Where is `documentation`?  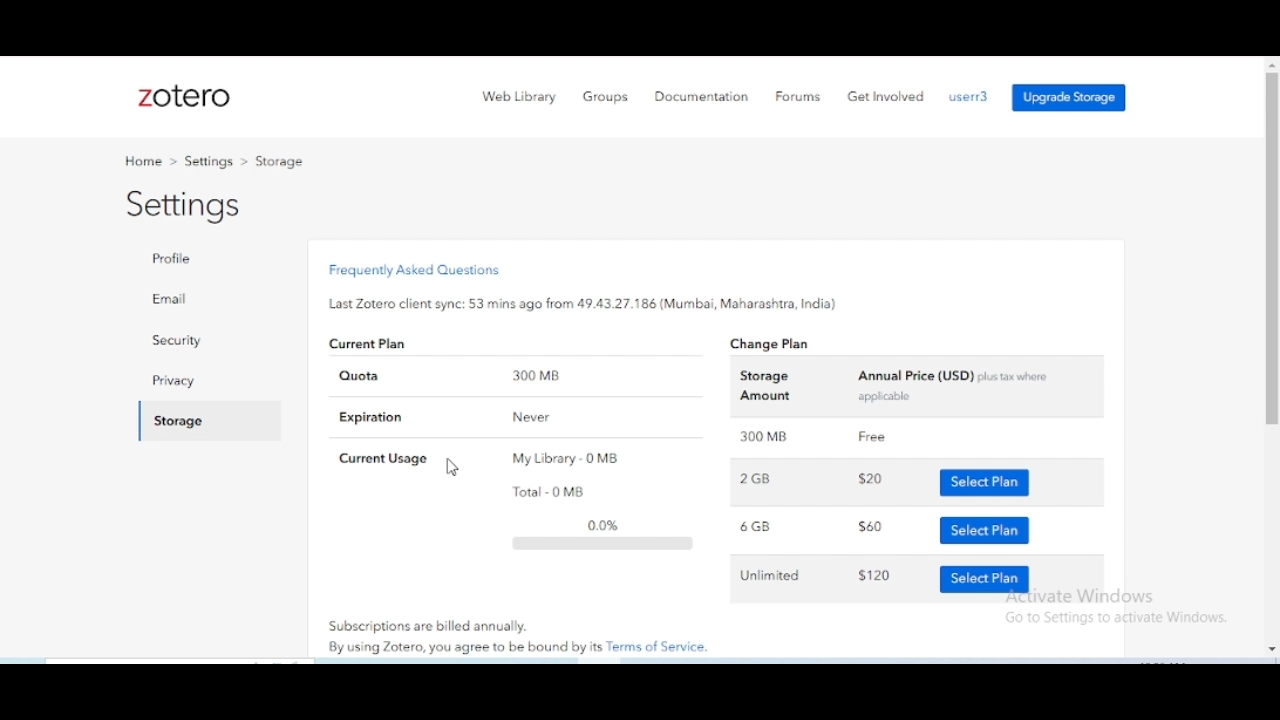 documentation is located at coordinates (701, 96).